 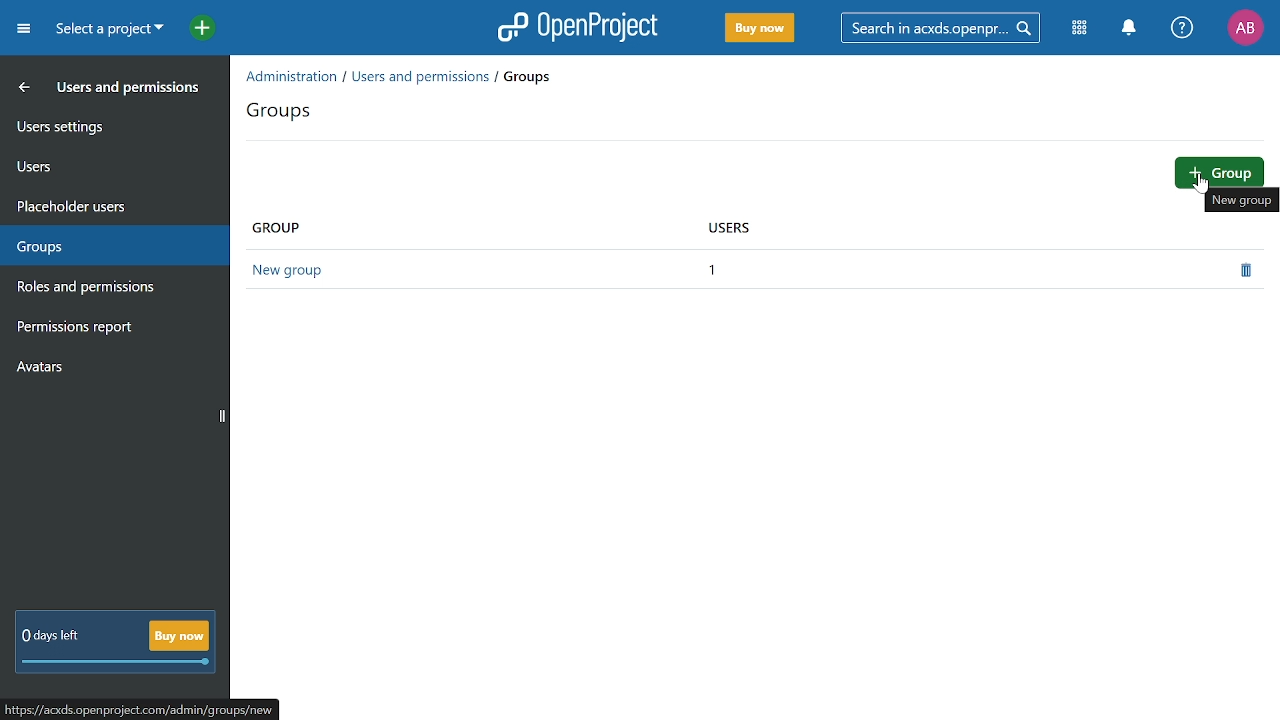 What do you see at coordinates (298, 272) in the screenshot?
I see `Group named "New group"` at bounding box center [298, 272].